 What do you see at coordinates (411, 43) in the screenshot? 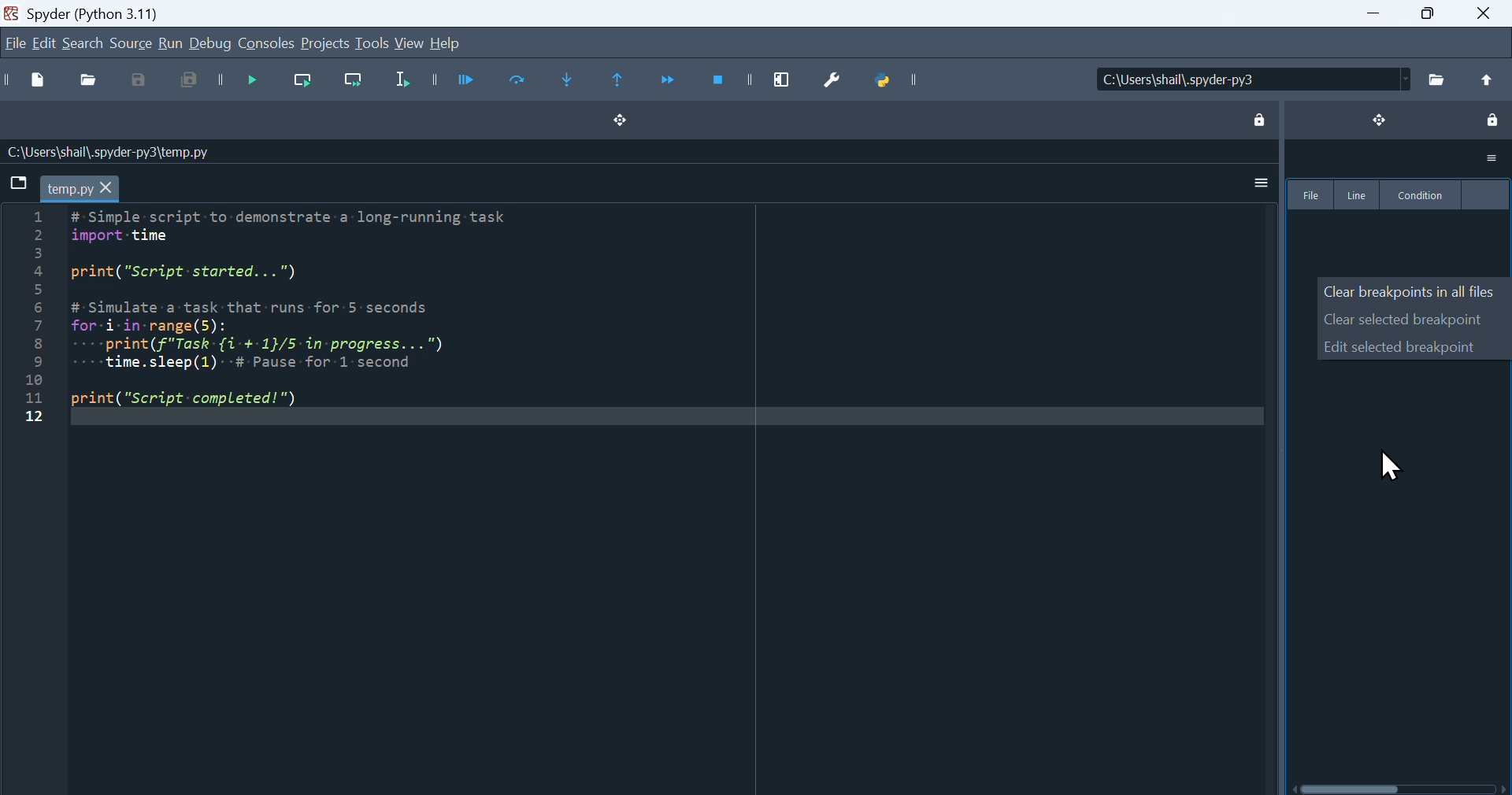
I see `view` at bounding box center [411, 43].